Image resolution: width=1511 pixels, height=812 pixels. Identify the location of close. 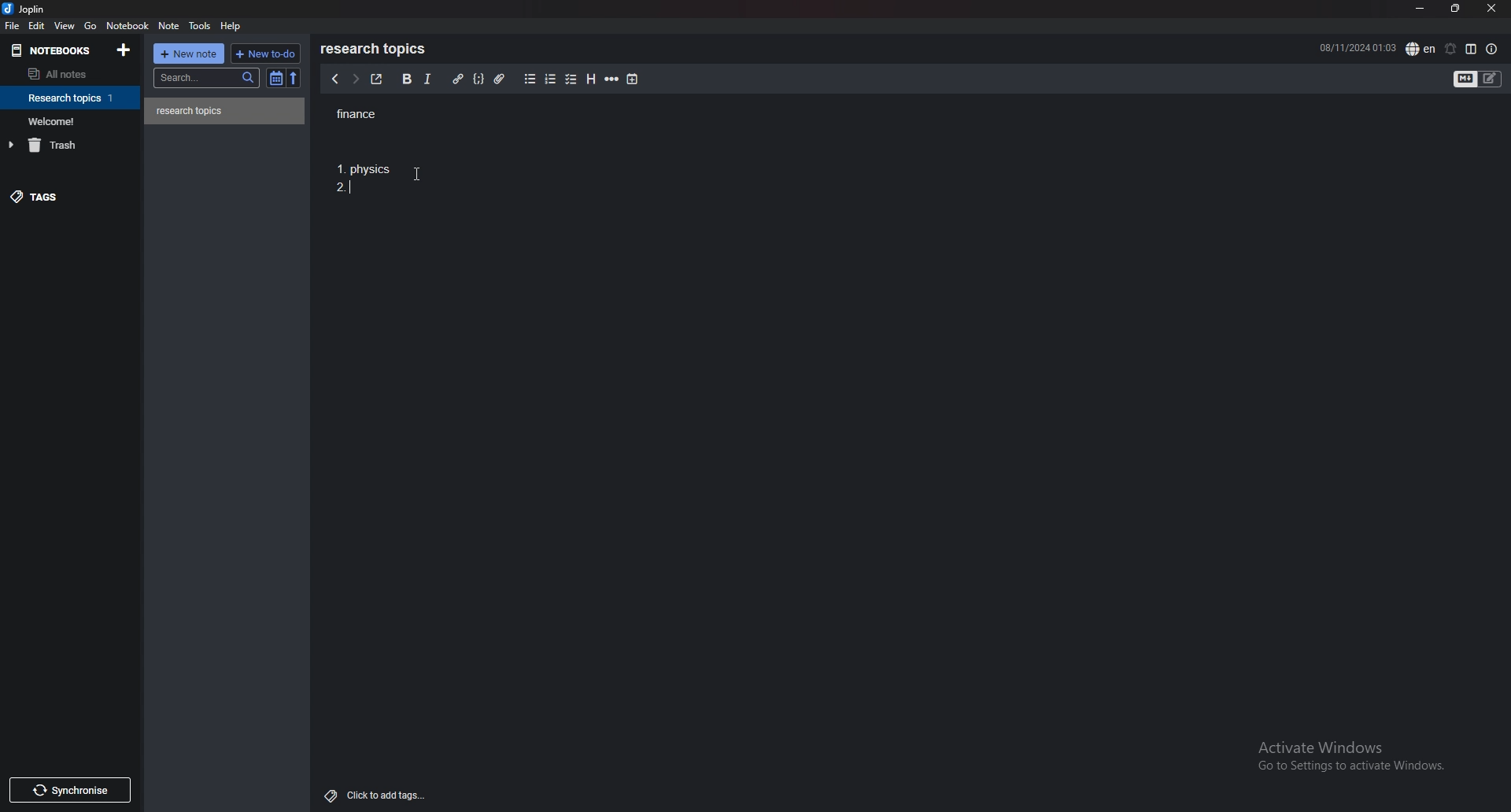
(1491, 9).